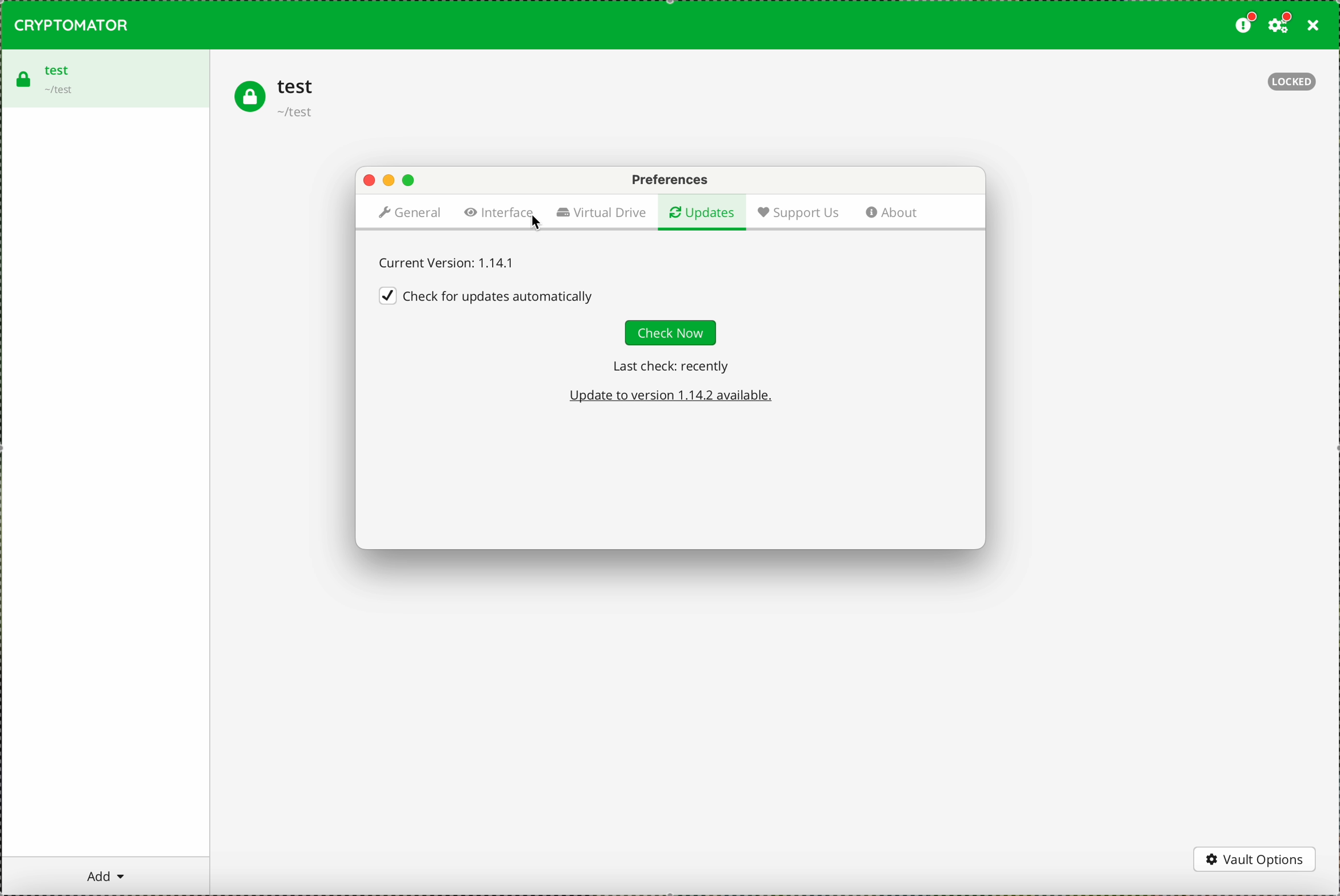 This screenshot has width=1340, height=896. Describe the element at coordinates (669, 179) in the screenshot. I see `preferences` at that location.